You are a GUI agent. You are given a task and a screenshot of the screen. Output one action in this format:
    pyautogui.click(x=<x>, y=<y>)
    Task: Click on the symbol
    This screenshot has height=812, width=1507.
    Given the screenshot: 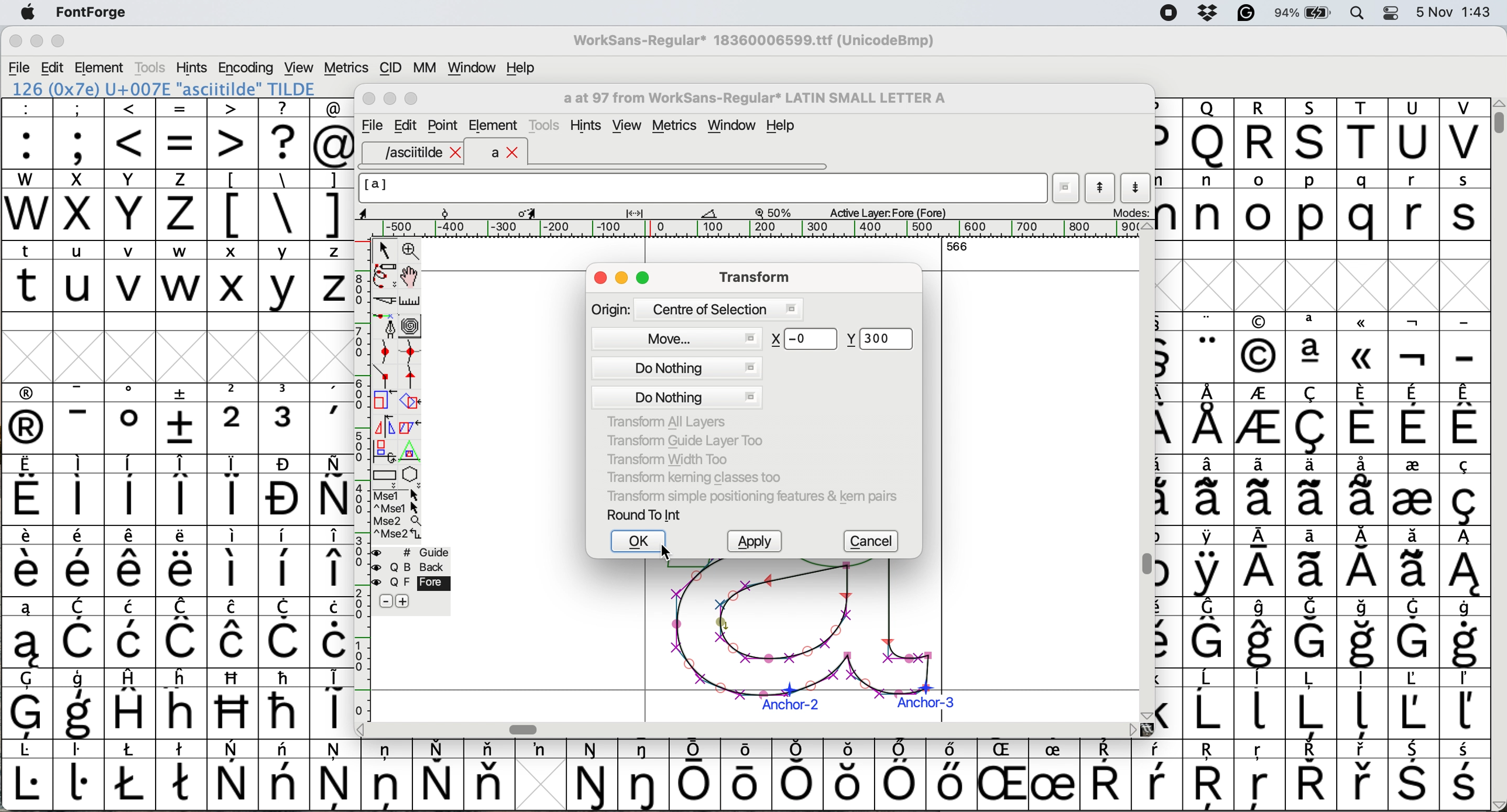 What is the action you would take?
    pyautogui.click(x=332, y=419)
    